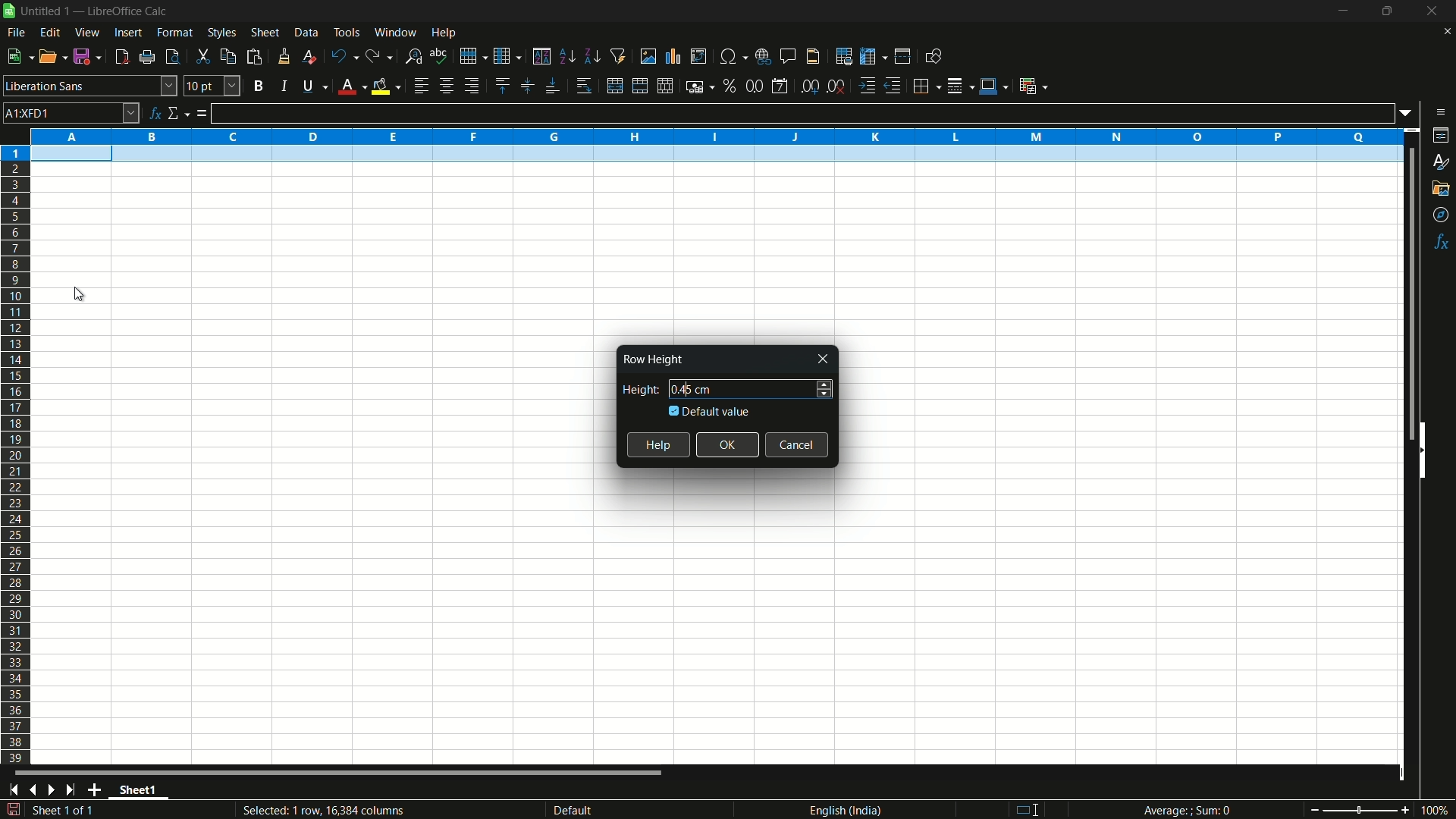 The height and width of the screenshot is (819, 1456). I want to click on select function, so click(178, 114).